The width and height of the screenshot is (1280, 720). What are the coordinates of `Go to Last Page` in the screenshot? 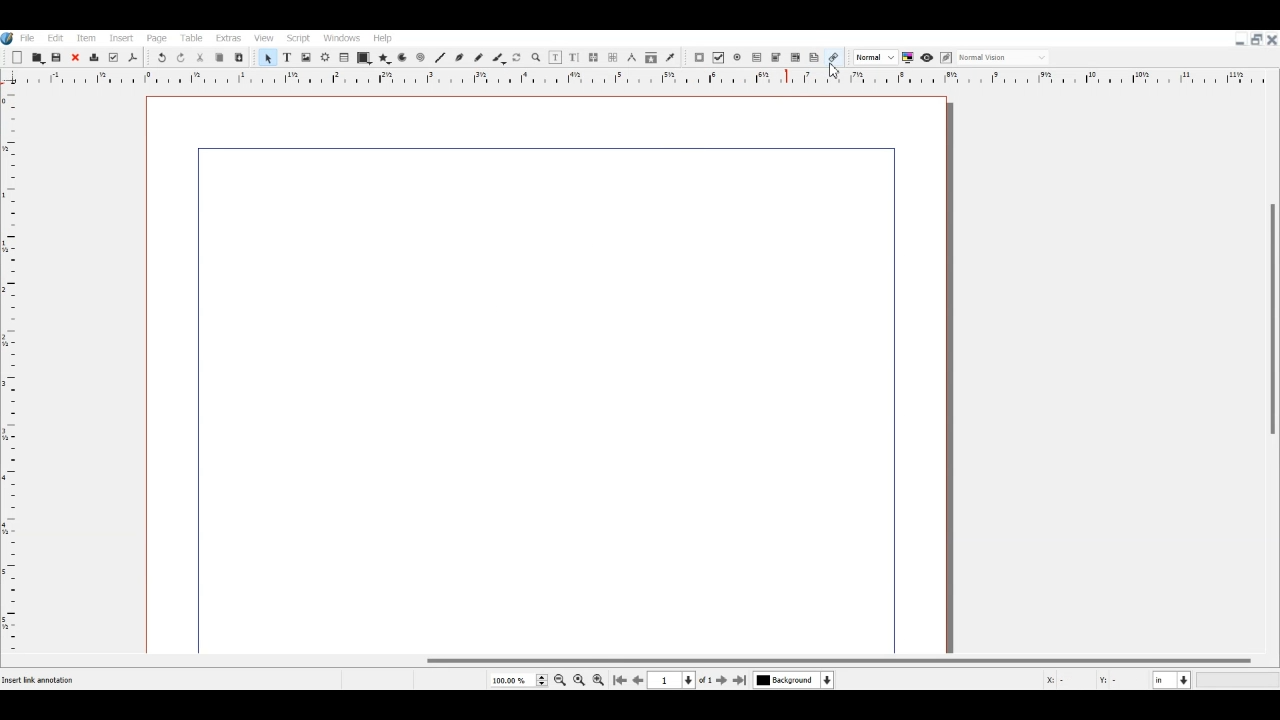 It's located at (742, 681).